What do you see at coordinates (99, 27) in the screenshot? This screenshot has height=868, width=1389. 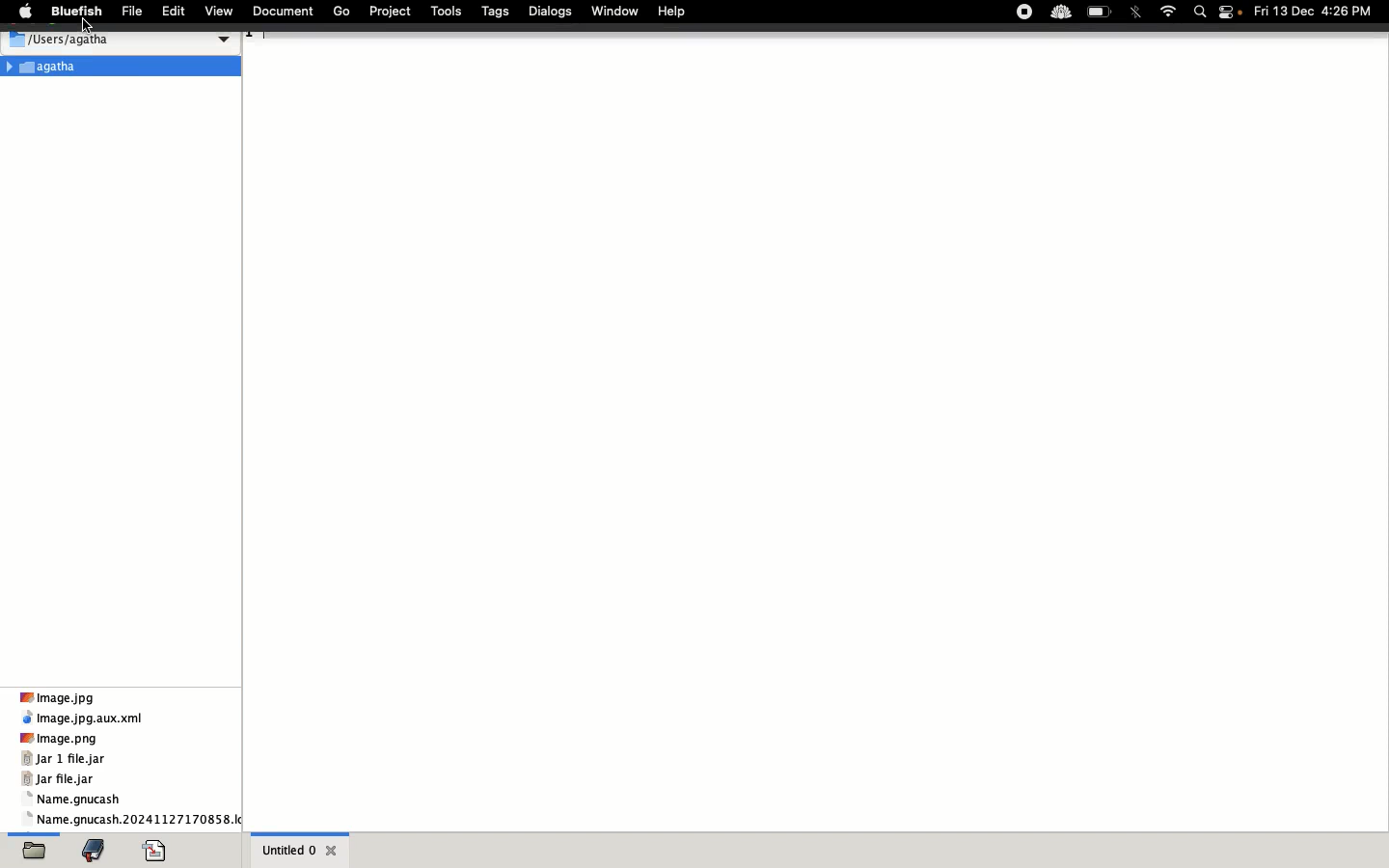 I see `cursor` at bounding box center [99, 27].